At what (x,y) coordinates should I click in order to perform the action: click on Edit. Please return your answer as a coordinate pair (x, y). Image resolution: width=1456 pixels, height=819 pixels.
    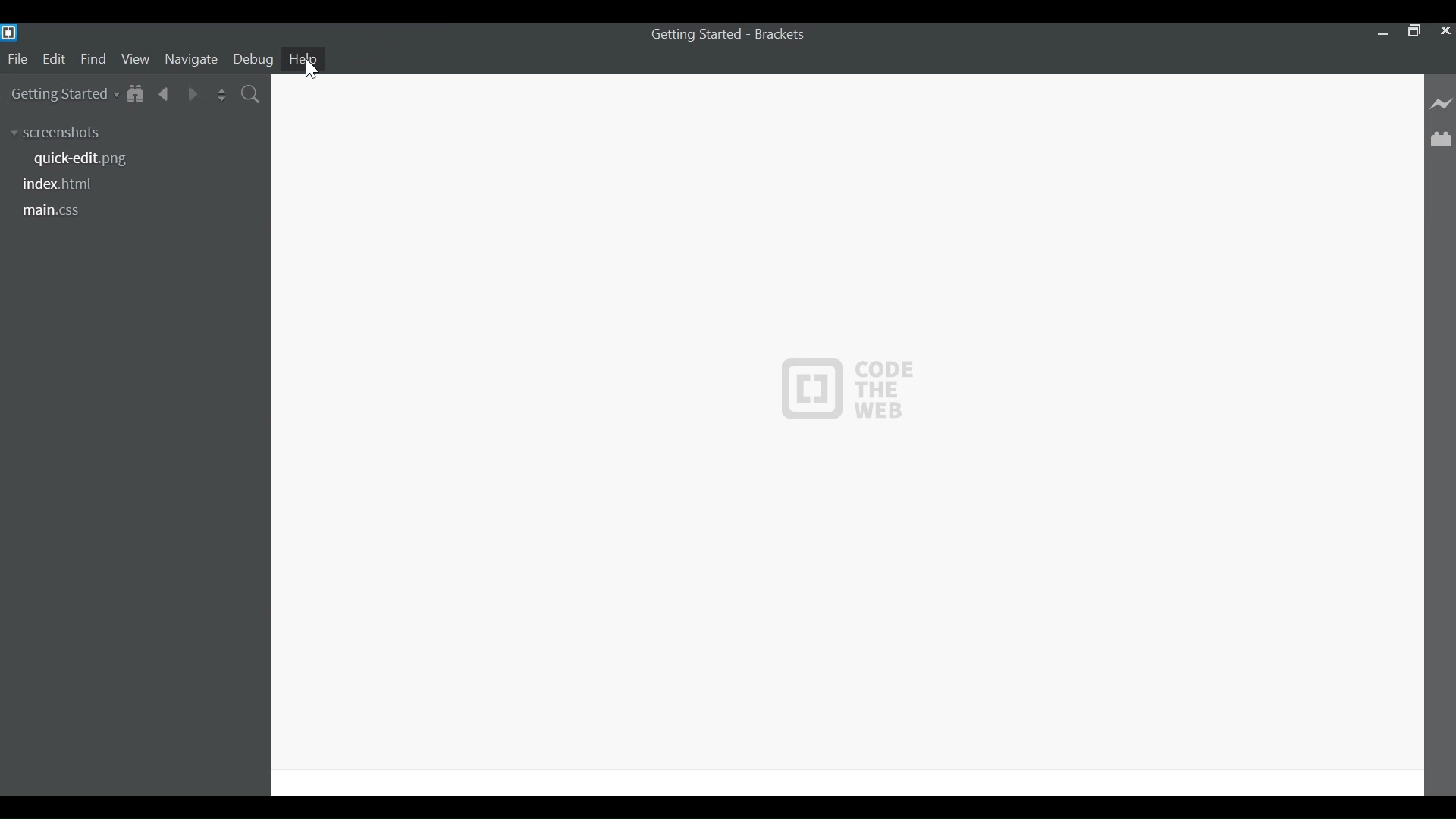
    Looking at the image, I should click on (53, 60).